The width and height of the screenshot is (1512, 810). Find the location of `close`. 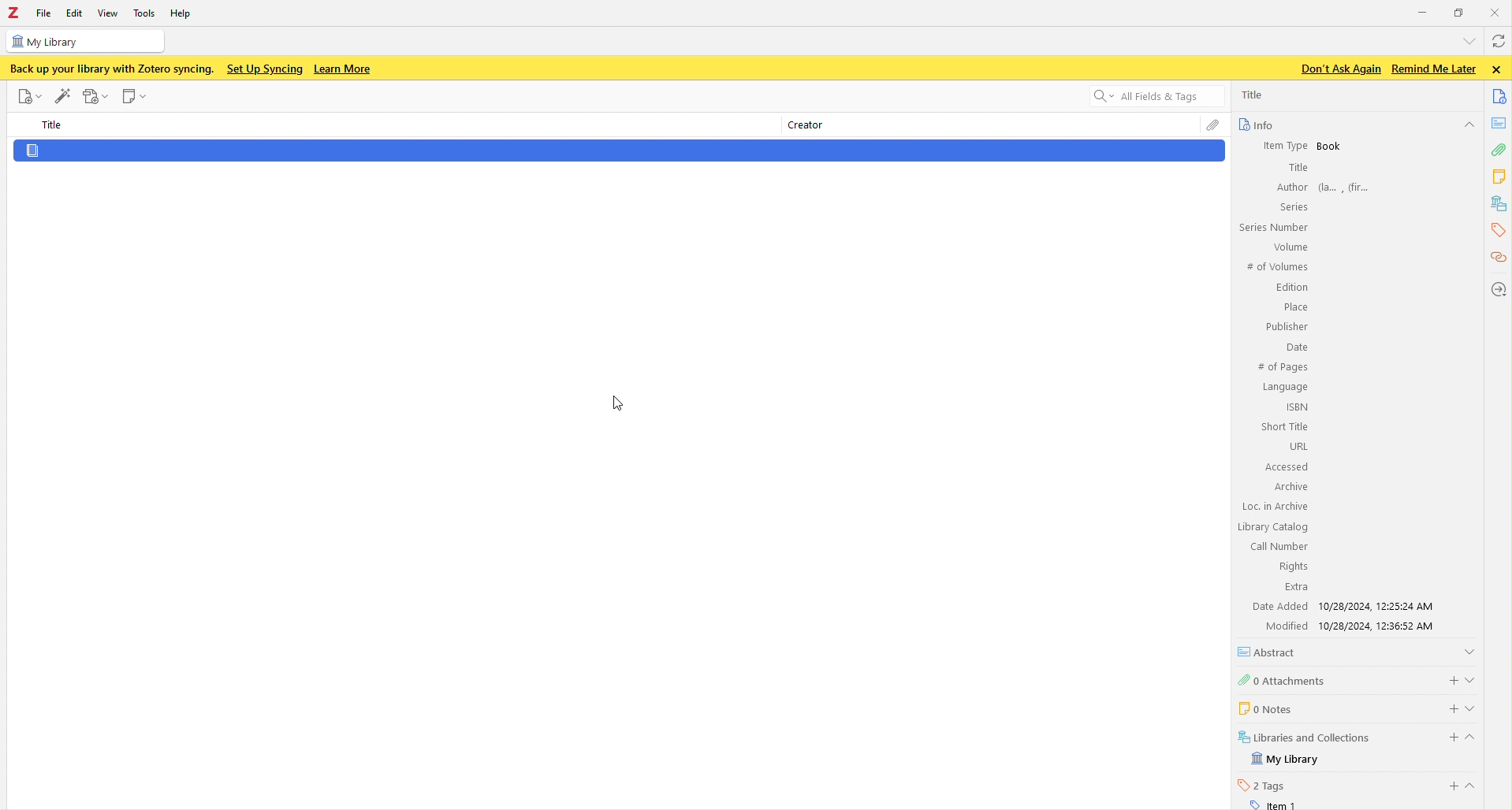

close is located at coordinates (1499, 69).